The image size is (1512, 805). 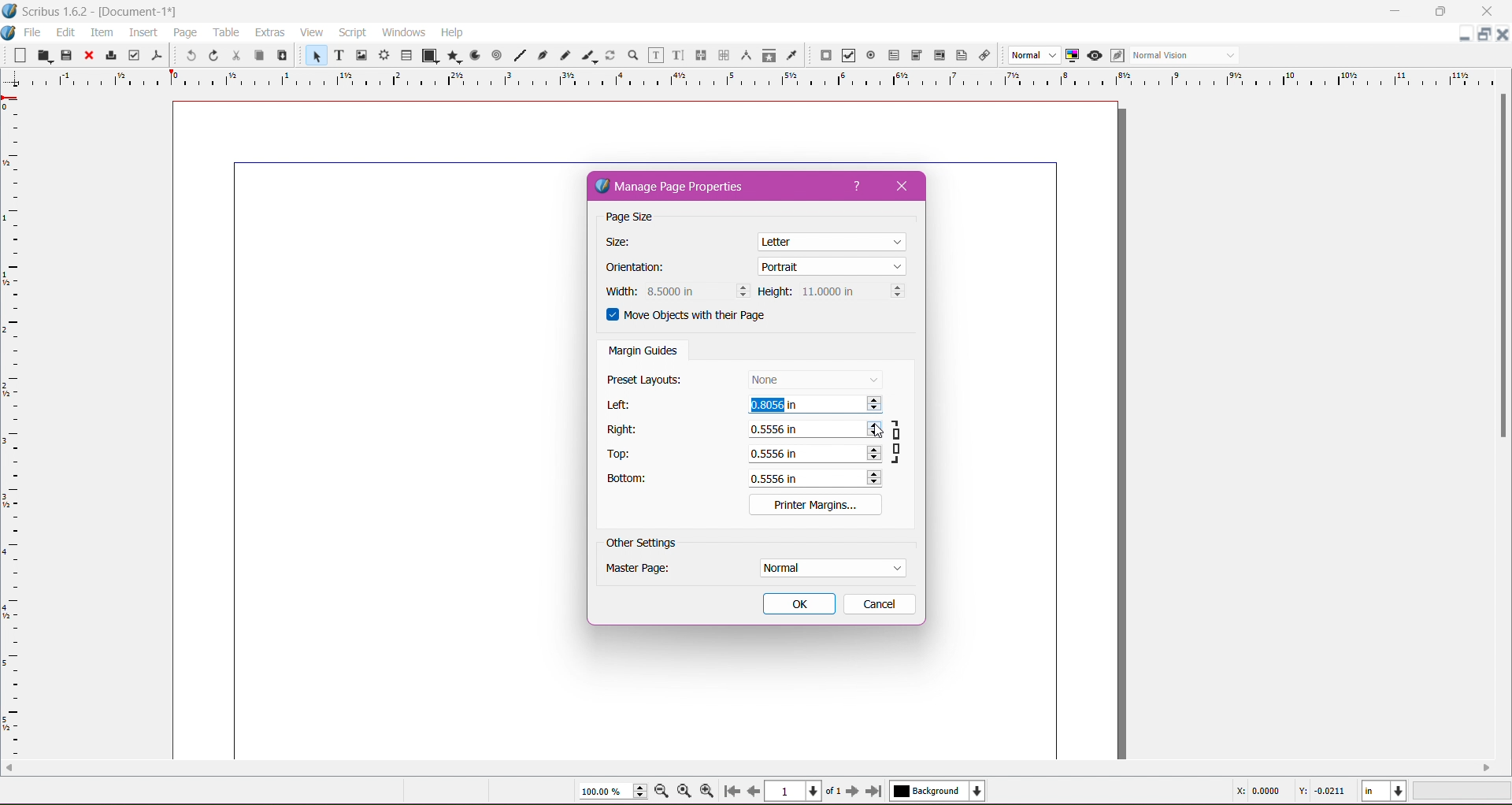 What do you see at coordinates (158, 54) in the screenshot?
I see `Save as PDF` at bounding box center [158, 54].